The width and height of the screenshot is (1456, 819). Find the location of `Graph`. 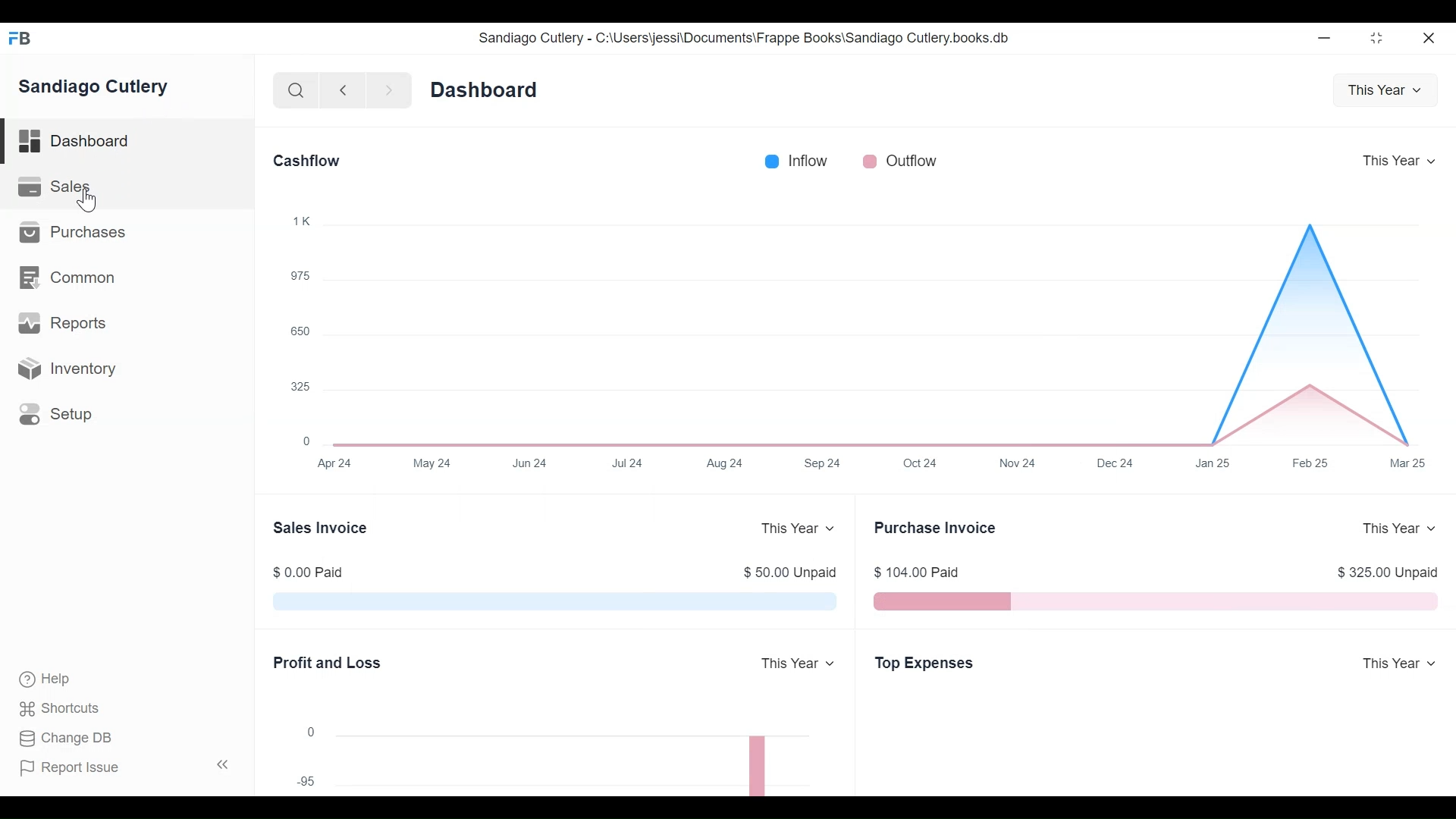

Graph is located at coordinates (881, 322).